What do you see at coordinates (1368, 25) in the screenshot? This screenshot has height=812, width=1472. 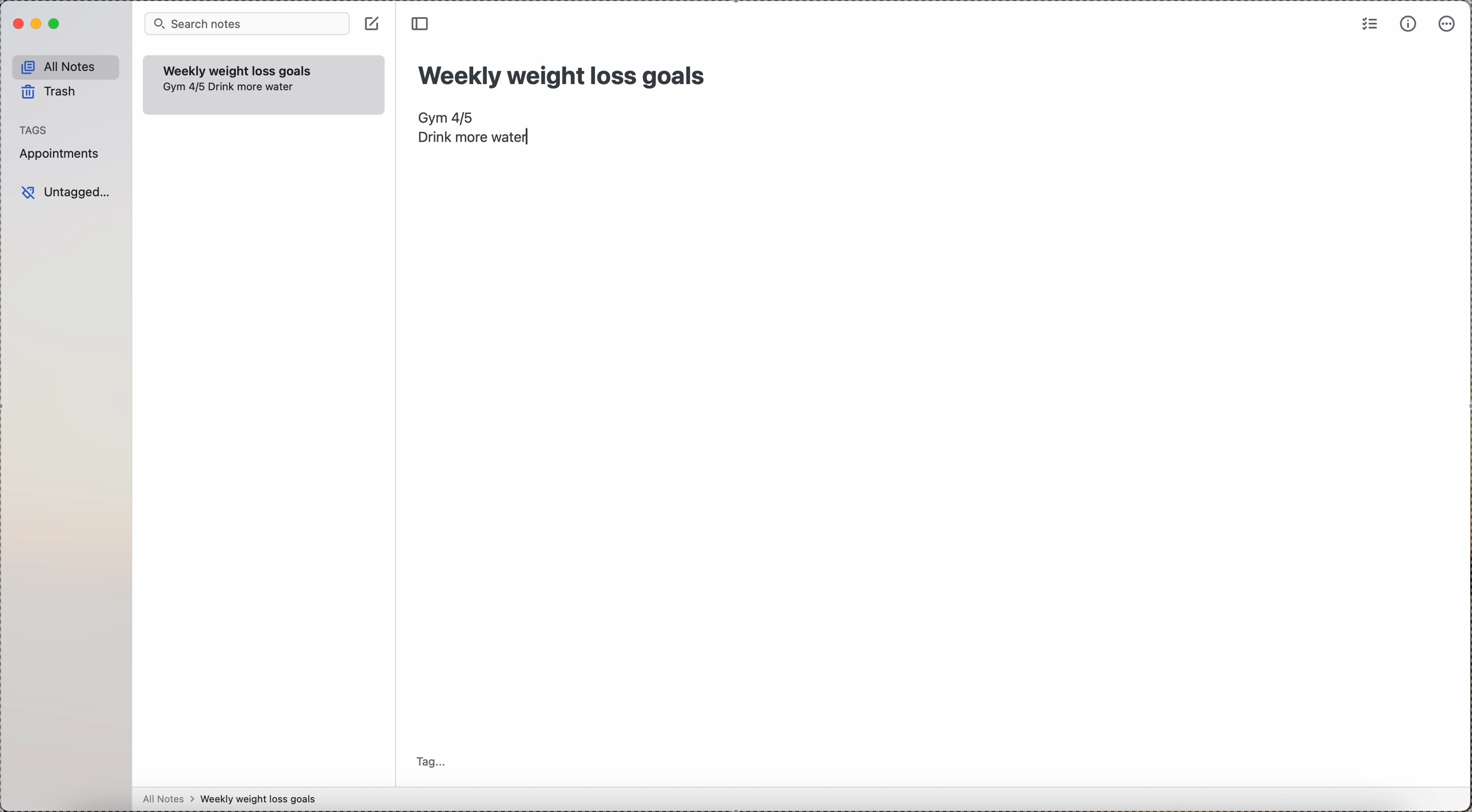 I see `check list` at bounding box center [1368, 25].